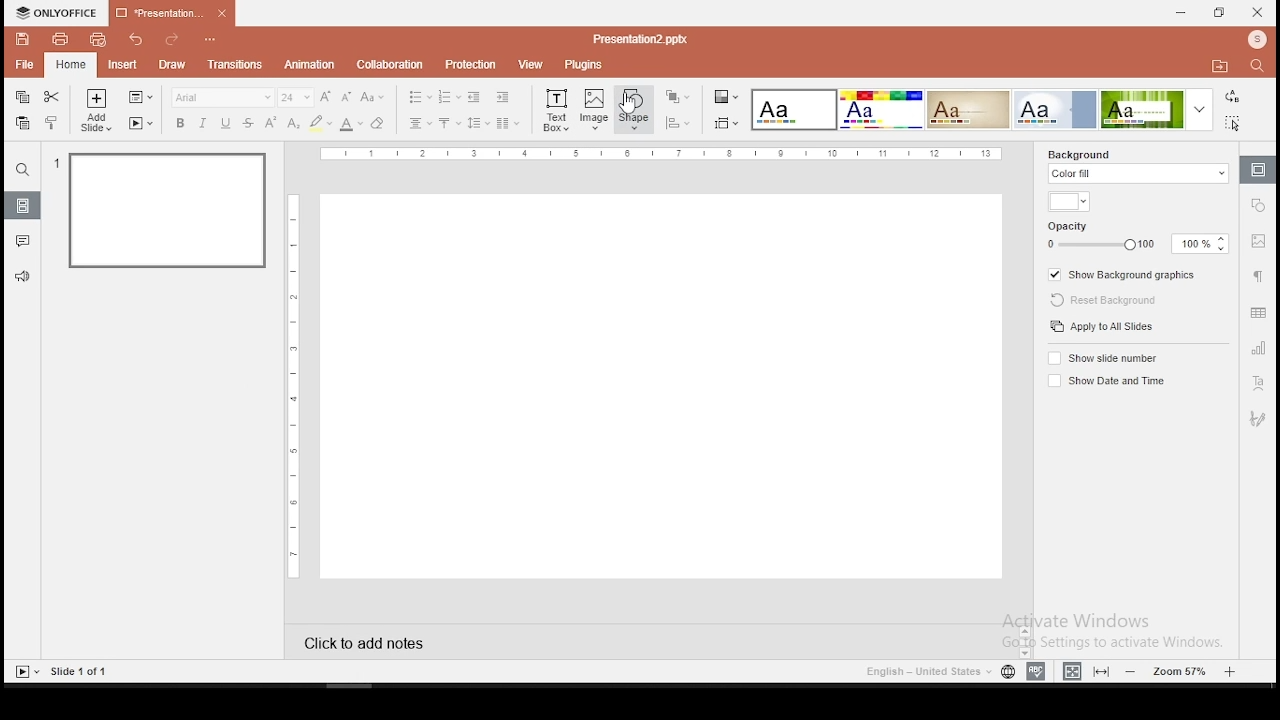  I want to click on spacing, so click(477, 123).